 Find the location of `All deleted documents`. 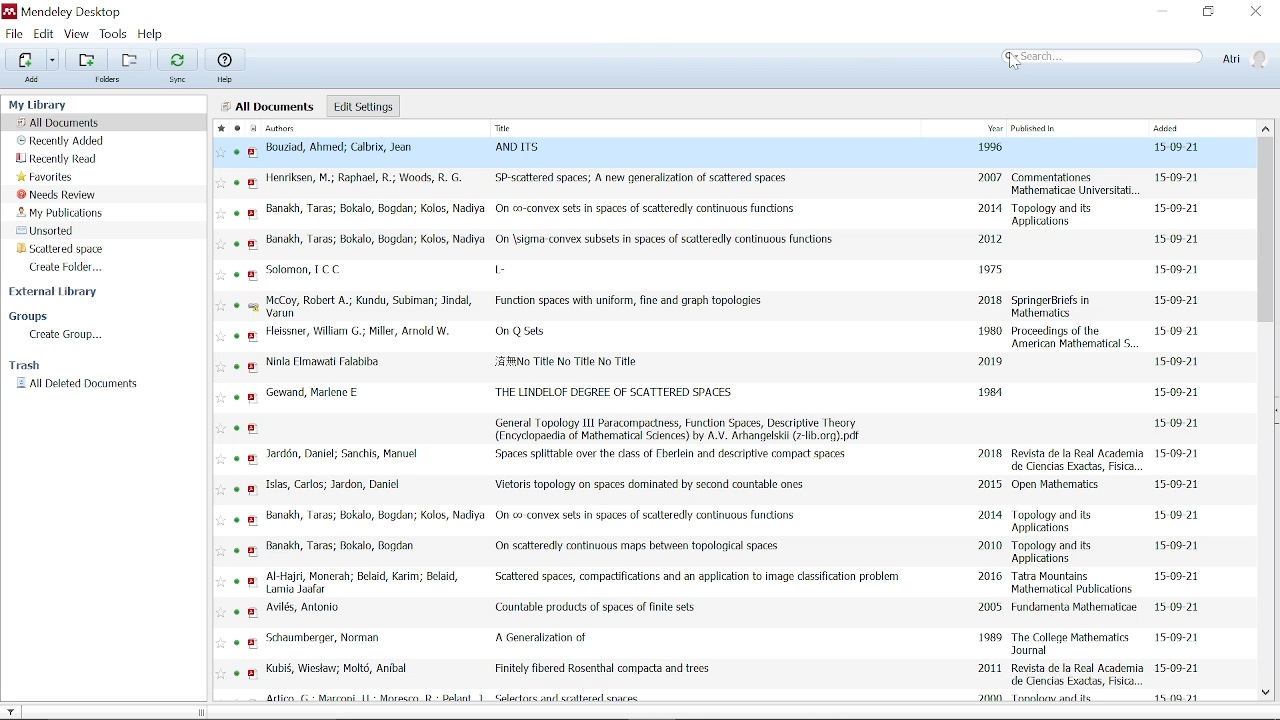

All deleted documents is located at coordinates (90, 385).